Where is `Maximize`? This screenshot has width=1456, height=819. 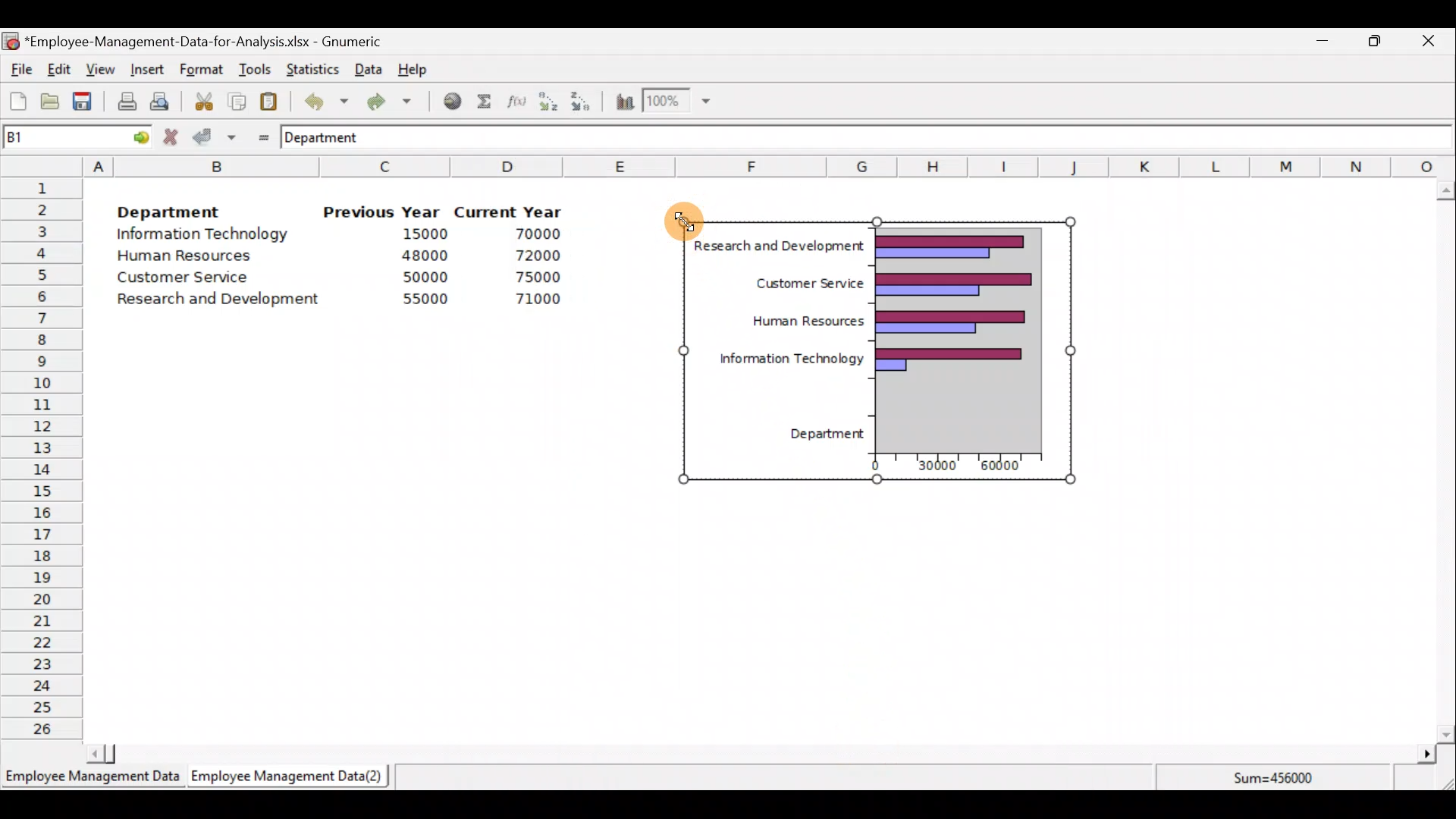 Maximize is located at coordinates (1375, 40).